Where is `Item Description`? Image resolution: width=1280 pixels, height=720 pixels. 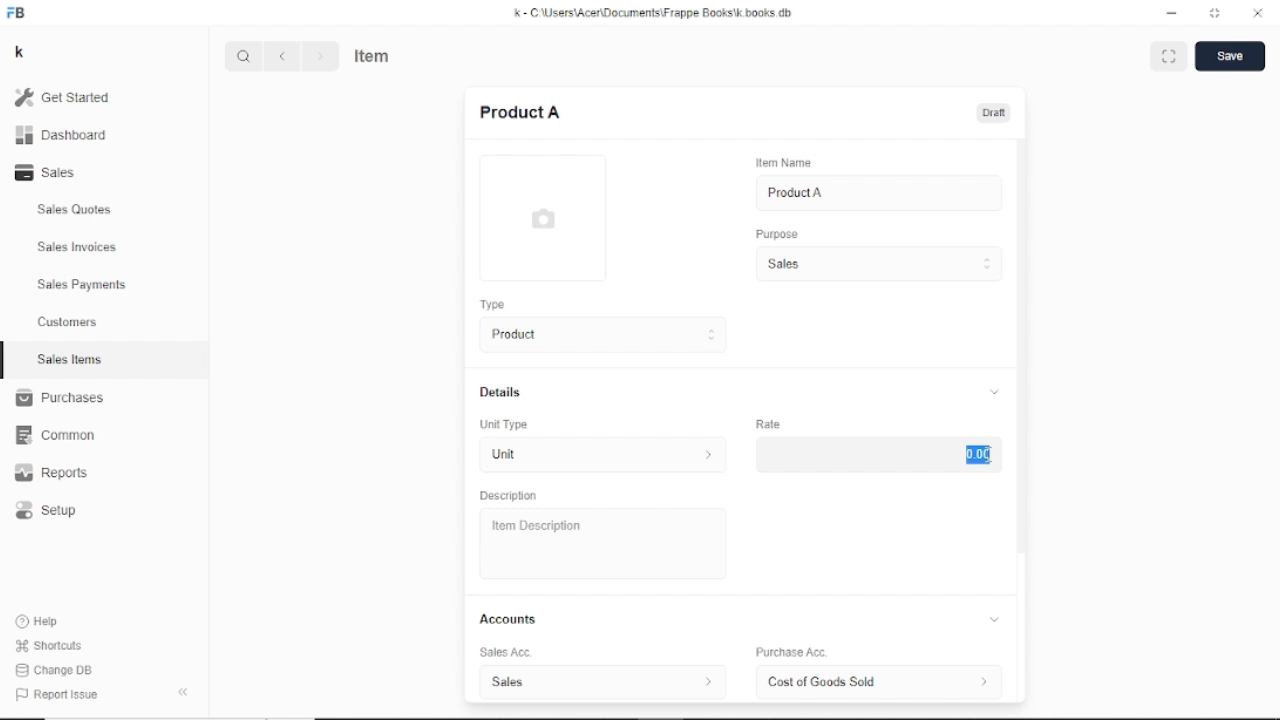 Item Description is located at coordinates (532, 526).